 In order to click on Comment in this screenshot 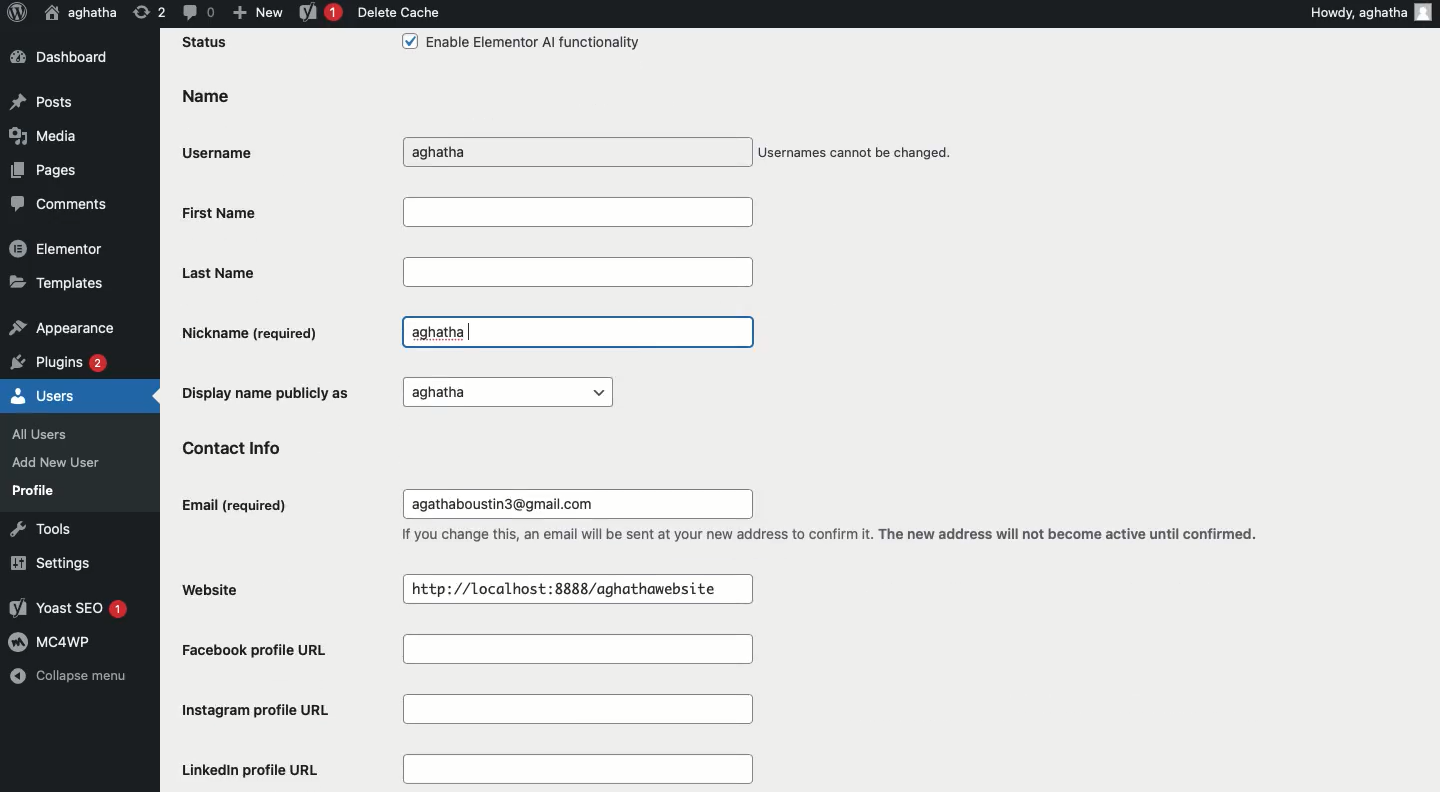, I will do `click(197, 11)`.